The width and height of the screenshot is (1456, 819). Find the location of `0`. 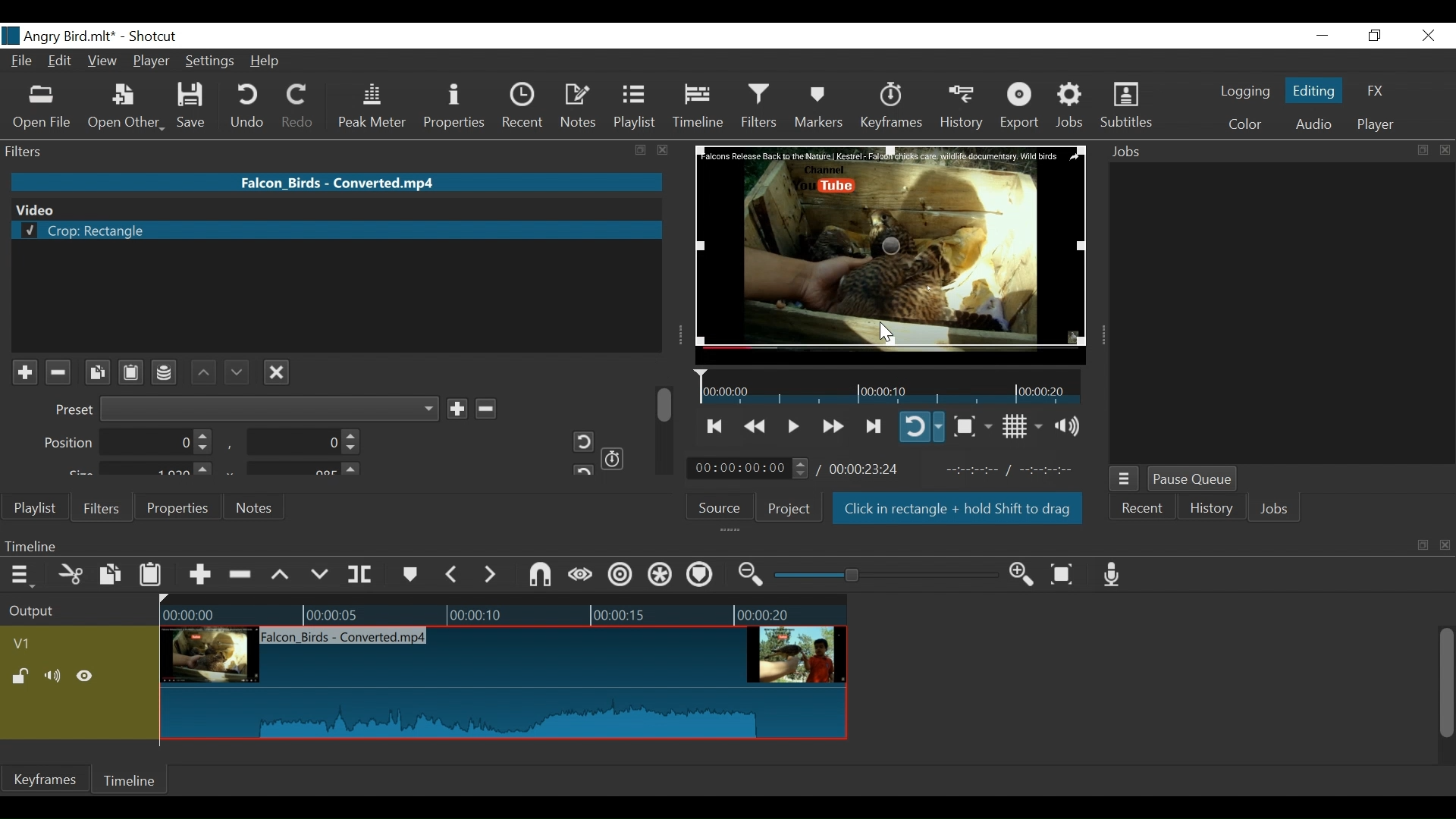

0 is located at coordinates (300, 444).